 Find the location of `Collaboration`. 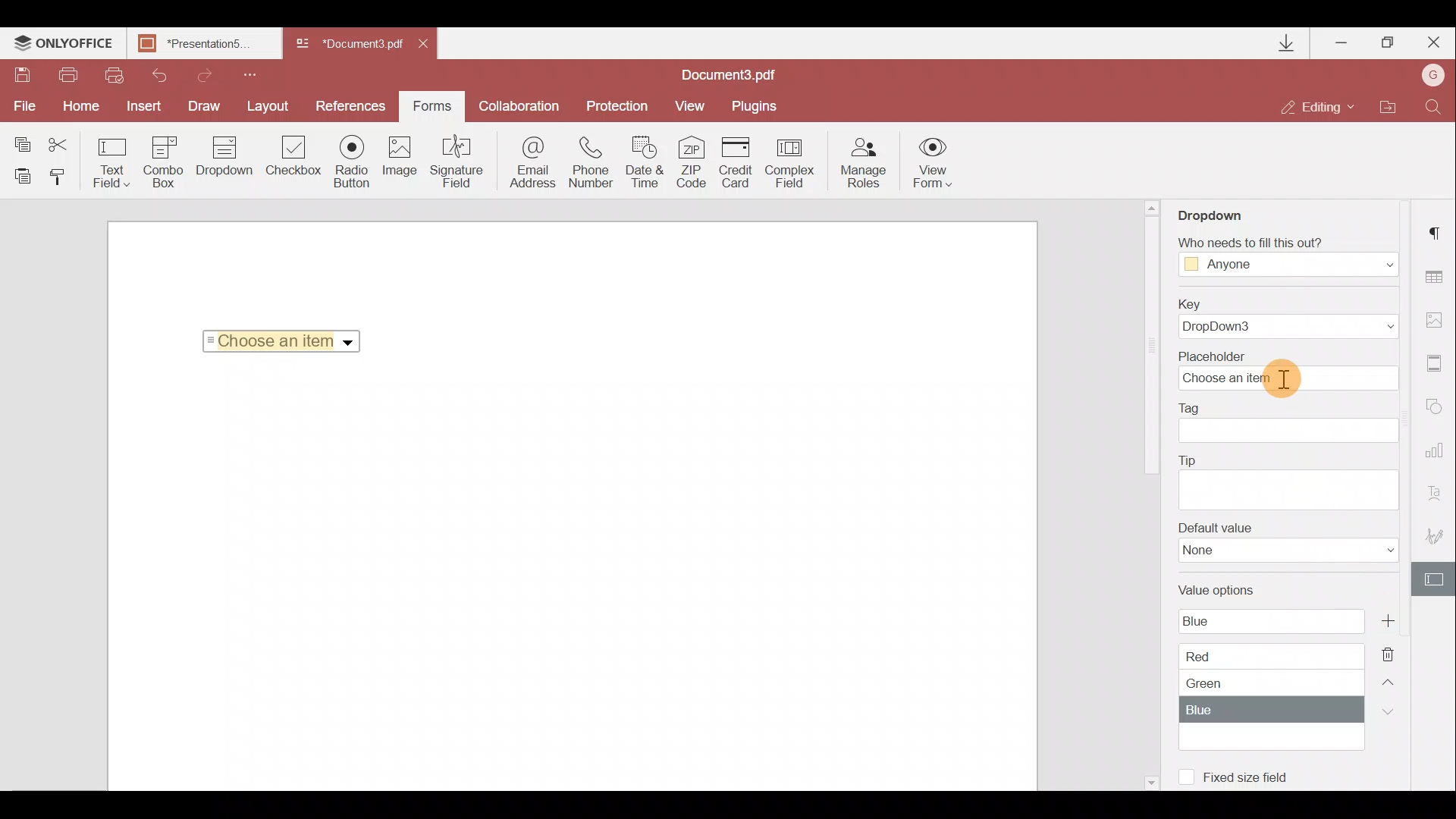

Collaboration is located at coordinates (519, 104).